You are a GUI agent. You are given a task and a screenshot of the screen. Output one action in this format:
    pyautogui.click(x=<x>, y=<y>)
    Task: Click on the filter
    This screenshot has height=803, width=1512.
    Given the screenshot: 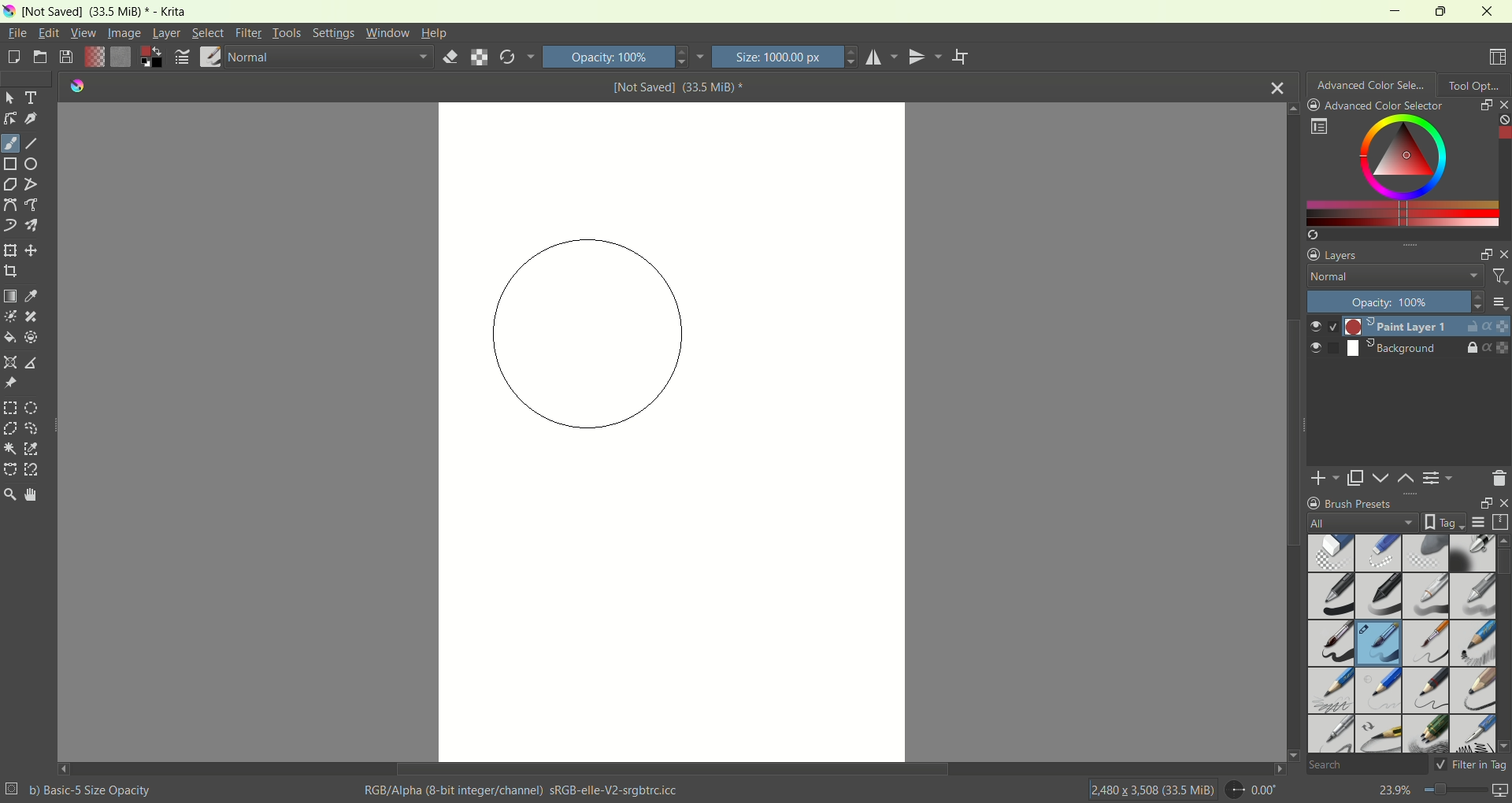 What is the action you would take?
    pyautogui.click(x=1499, y=279)
    